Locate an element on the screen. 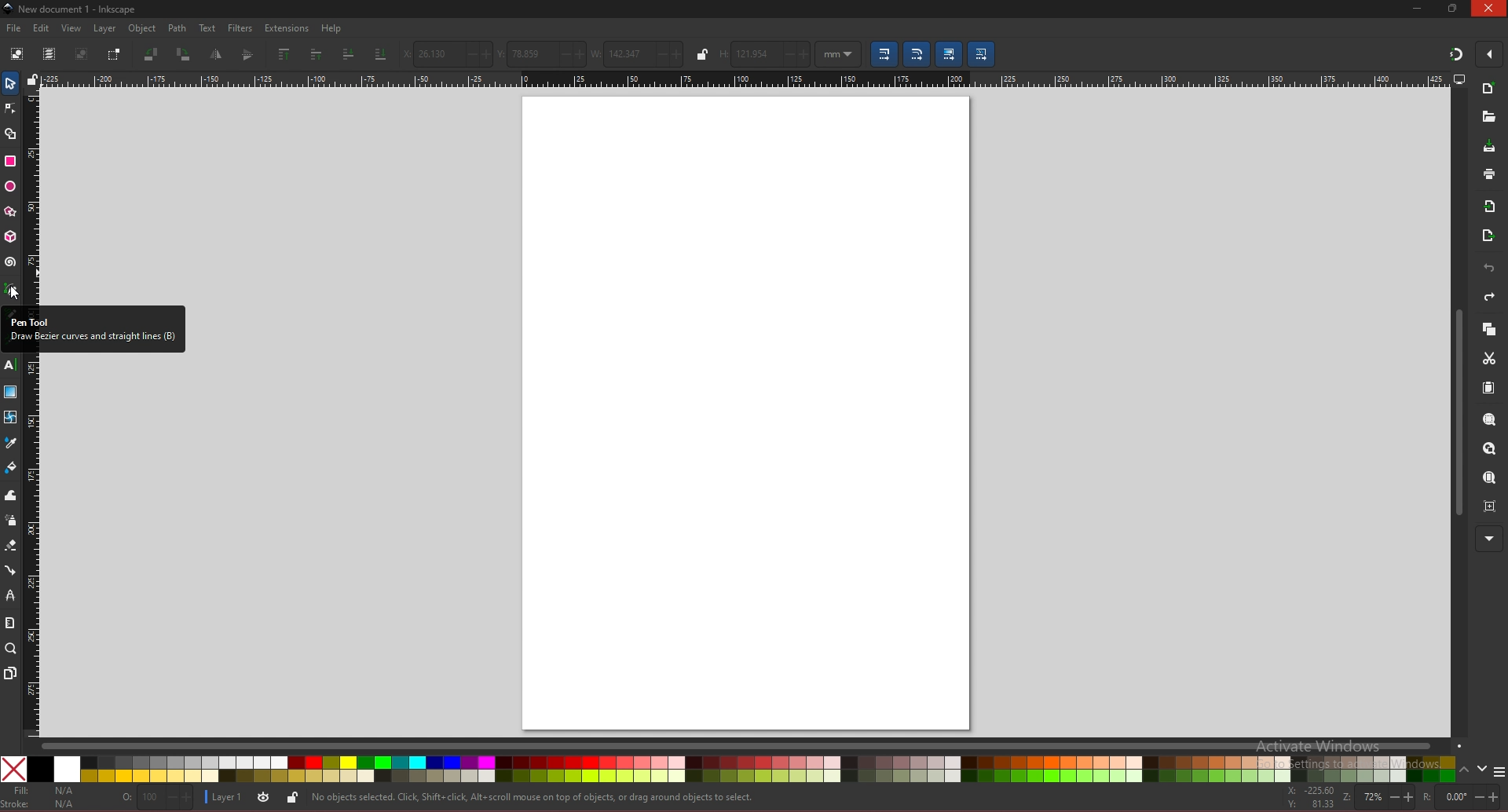  more colors is located at coordinates (1499, 773).